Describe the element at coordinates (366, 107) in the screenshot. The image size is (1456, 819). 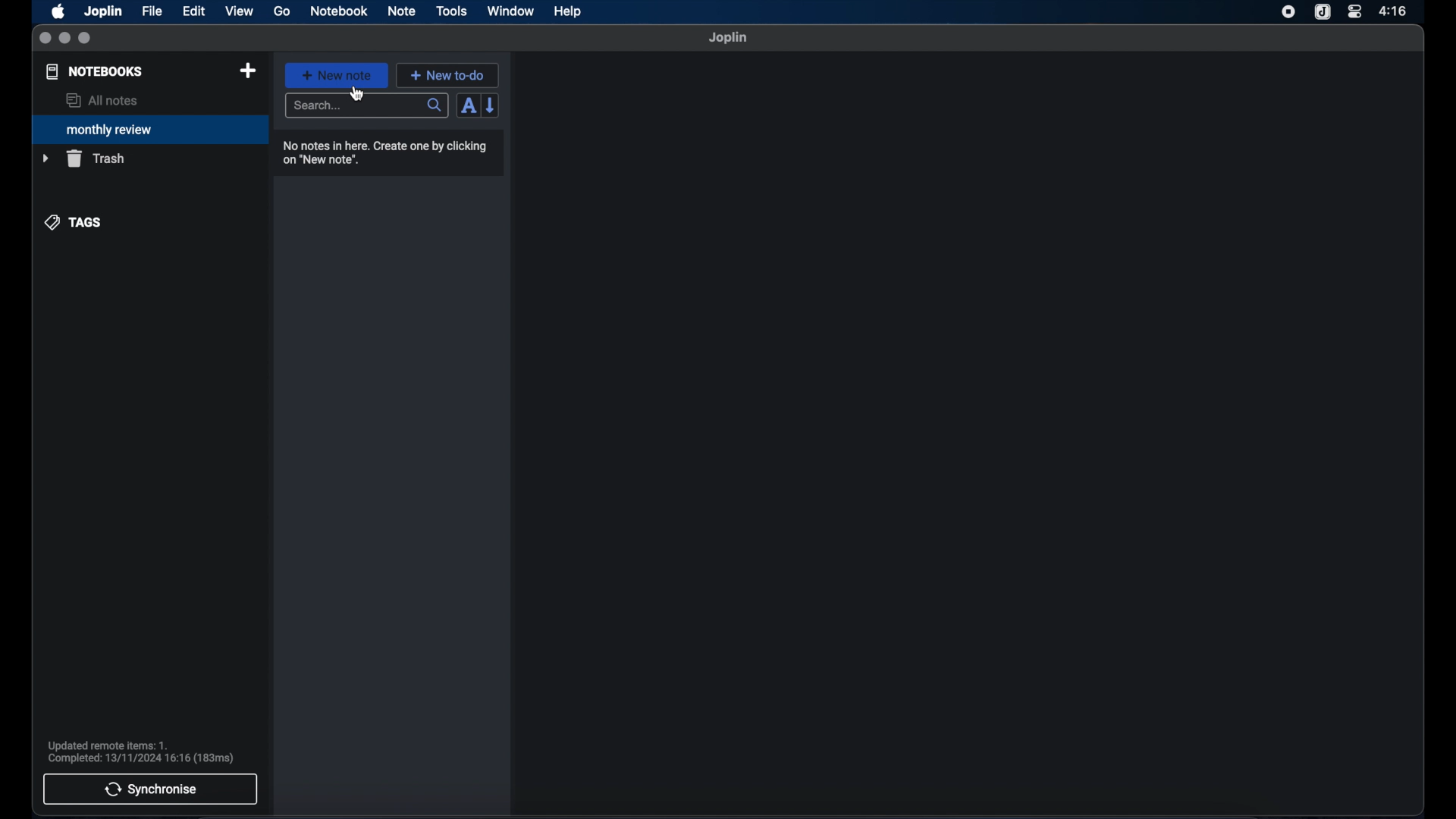
I see `search bar` at that location.